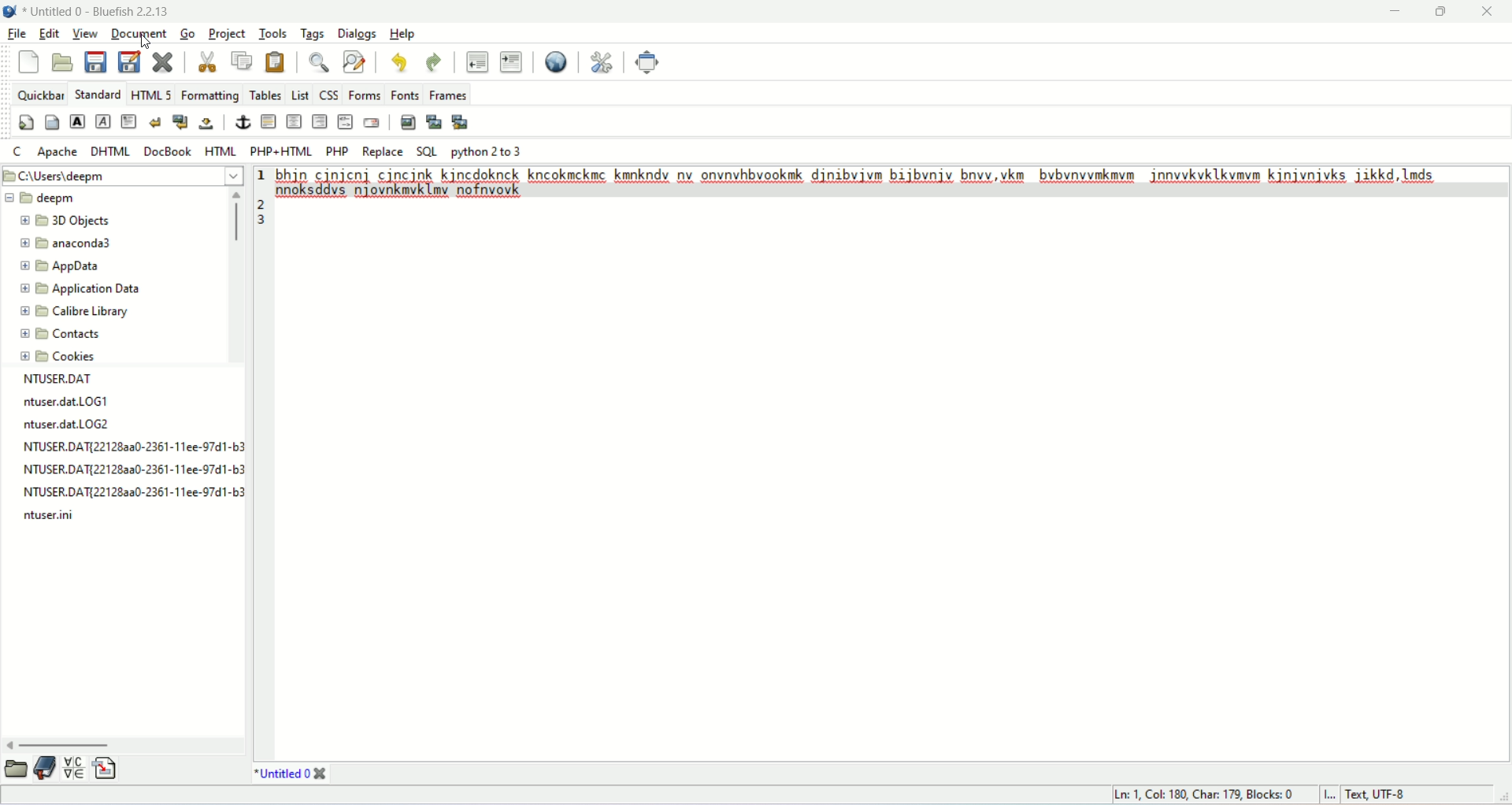 This screenshot has width=1512, height=805. I want to click on HTML, so click(220, 152).